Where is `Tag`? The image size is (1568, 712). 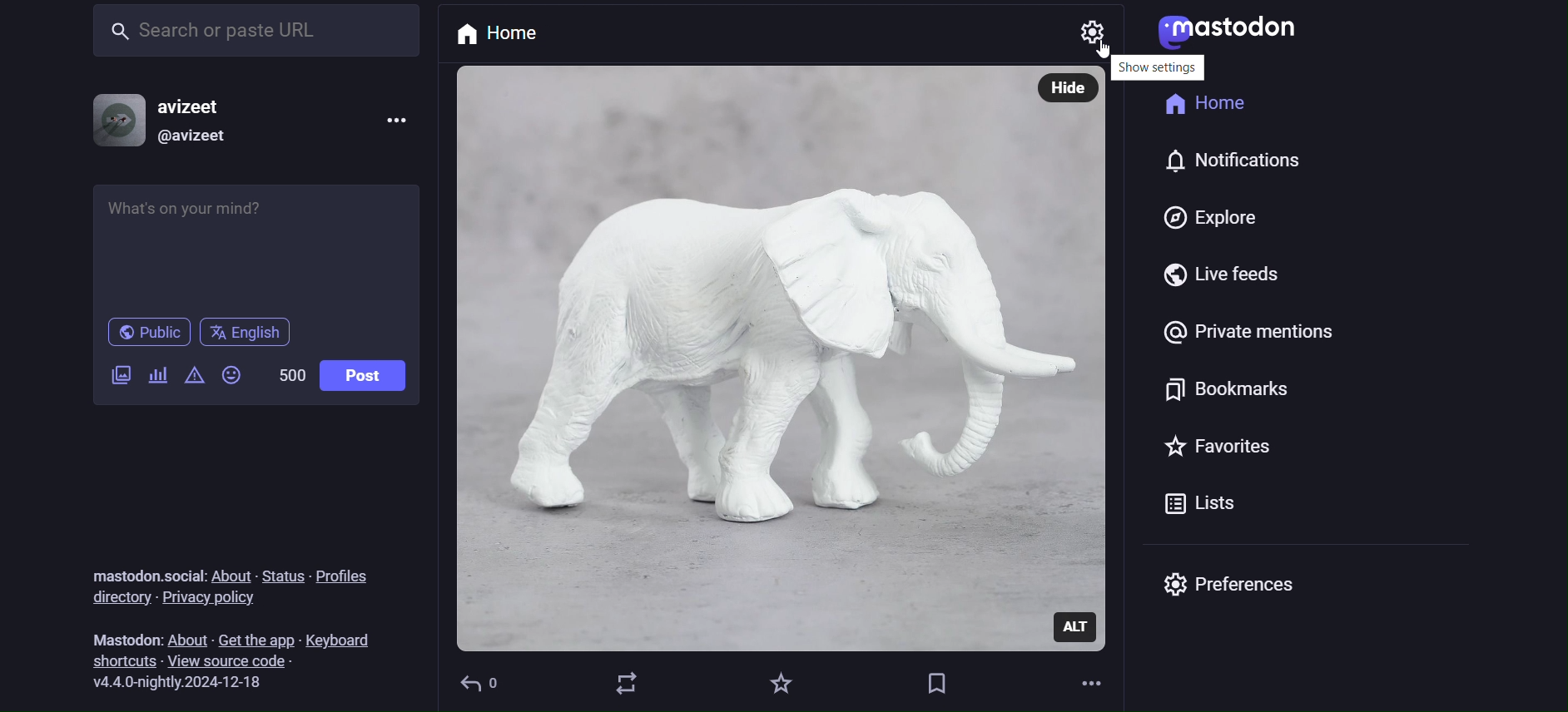 Tag is located at coordinates (932, 685).